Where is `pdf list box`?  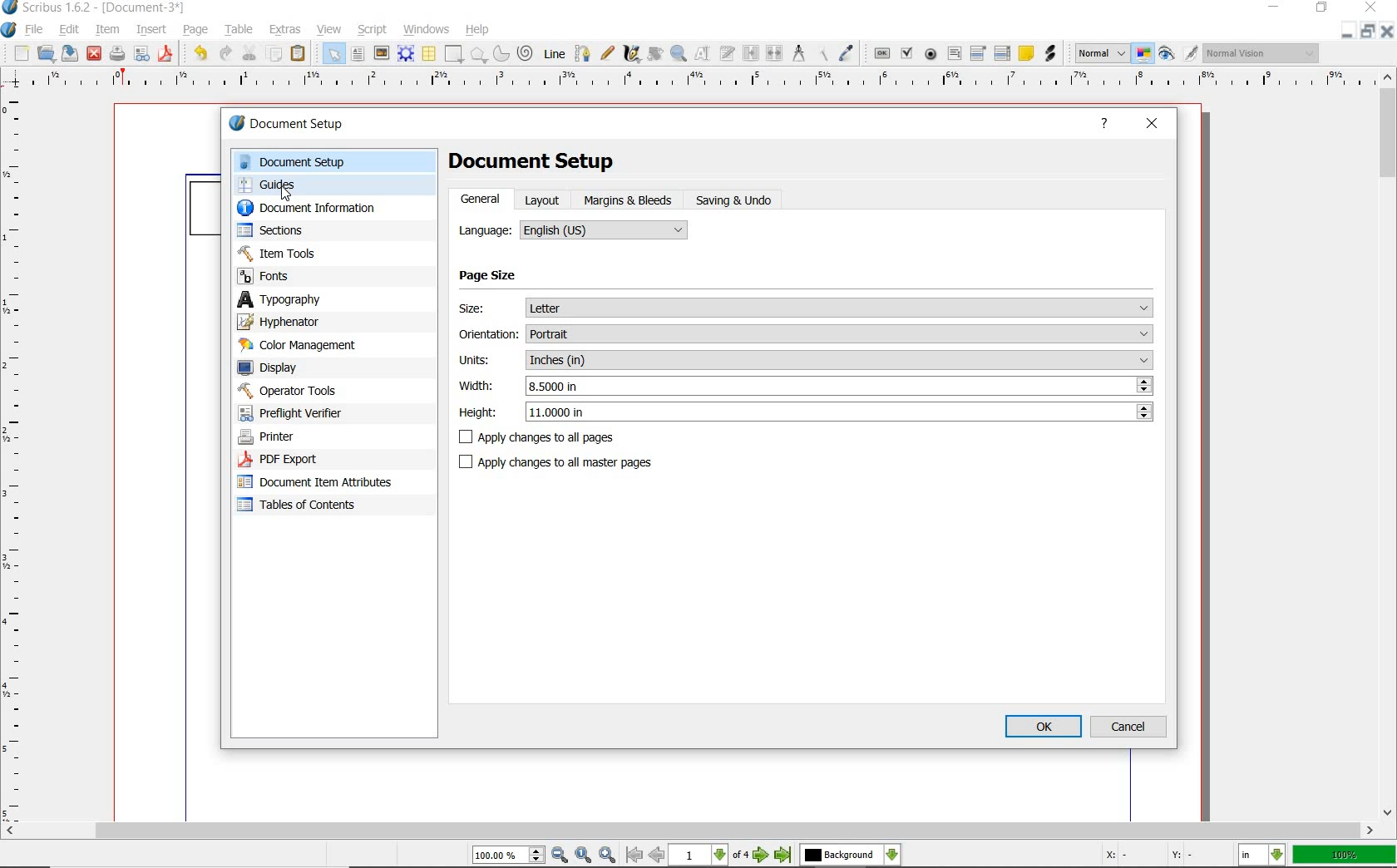
pdf list box is located at coordinates (1003, 52).